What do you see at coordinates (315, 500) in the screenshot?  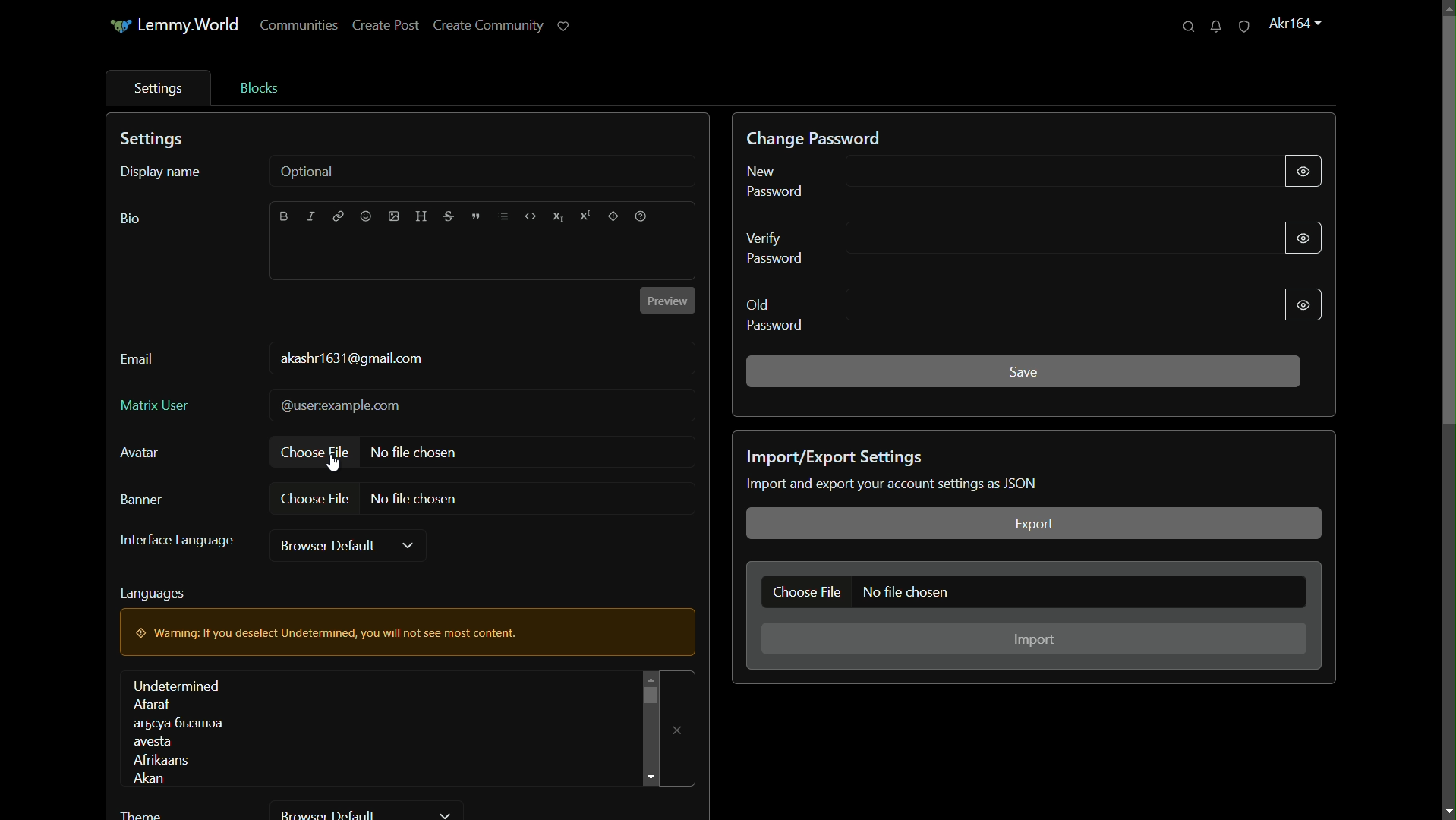 I see `choose file` at bounding box center [315, 500].